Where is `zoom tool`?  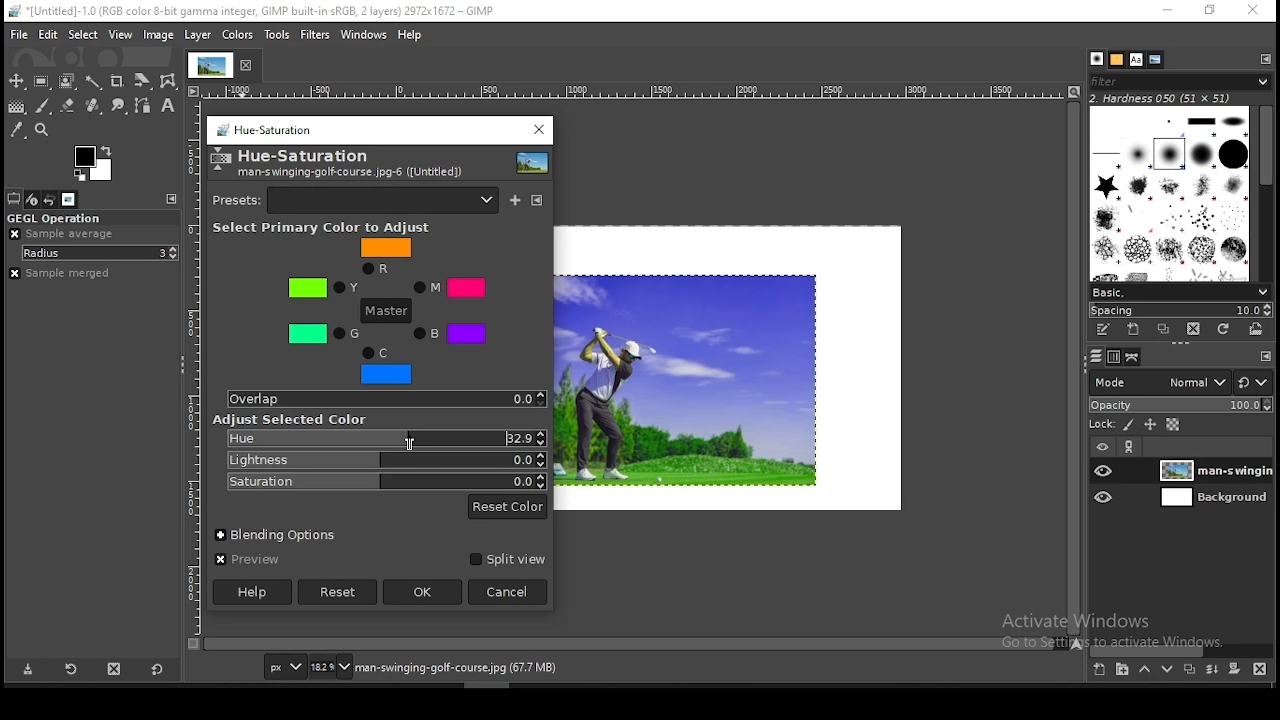
zoom tool is located at coordinates (43, 131).